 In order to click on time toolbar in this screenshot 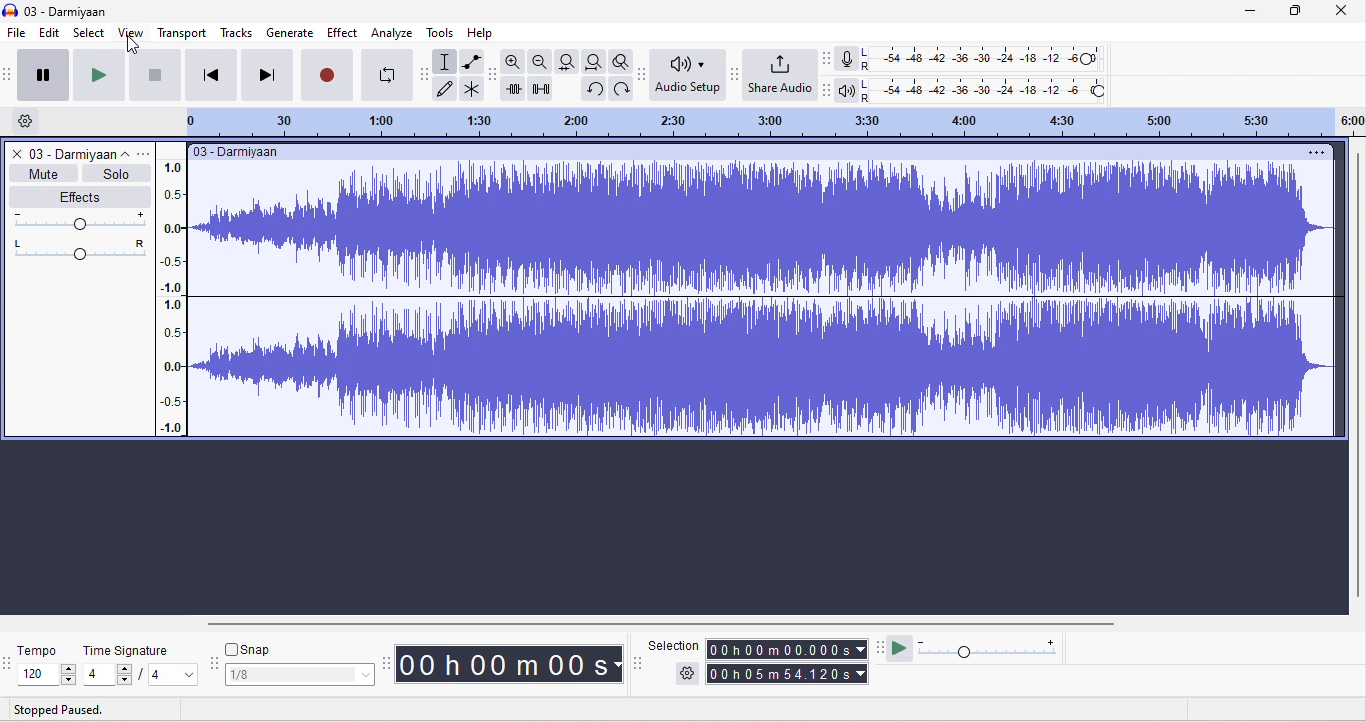, I will do `click(389, 664)`.